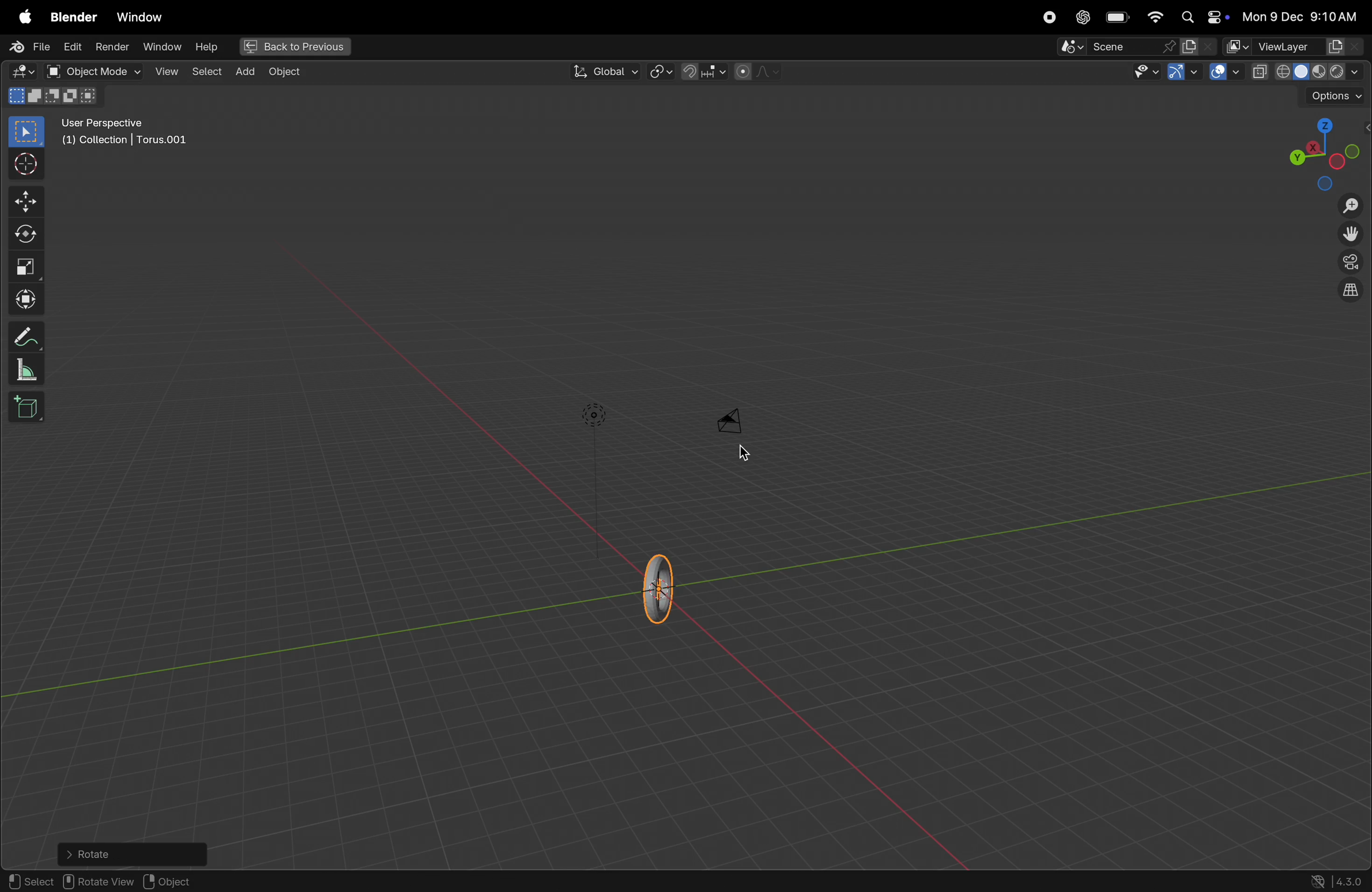  Describe the element at coordinates (31, 98) in the screenshot. I see `rotation` at that location.